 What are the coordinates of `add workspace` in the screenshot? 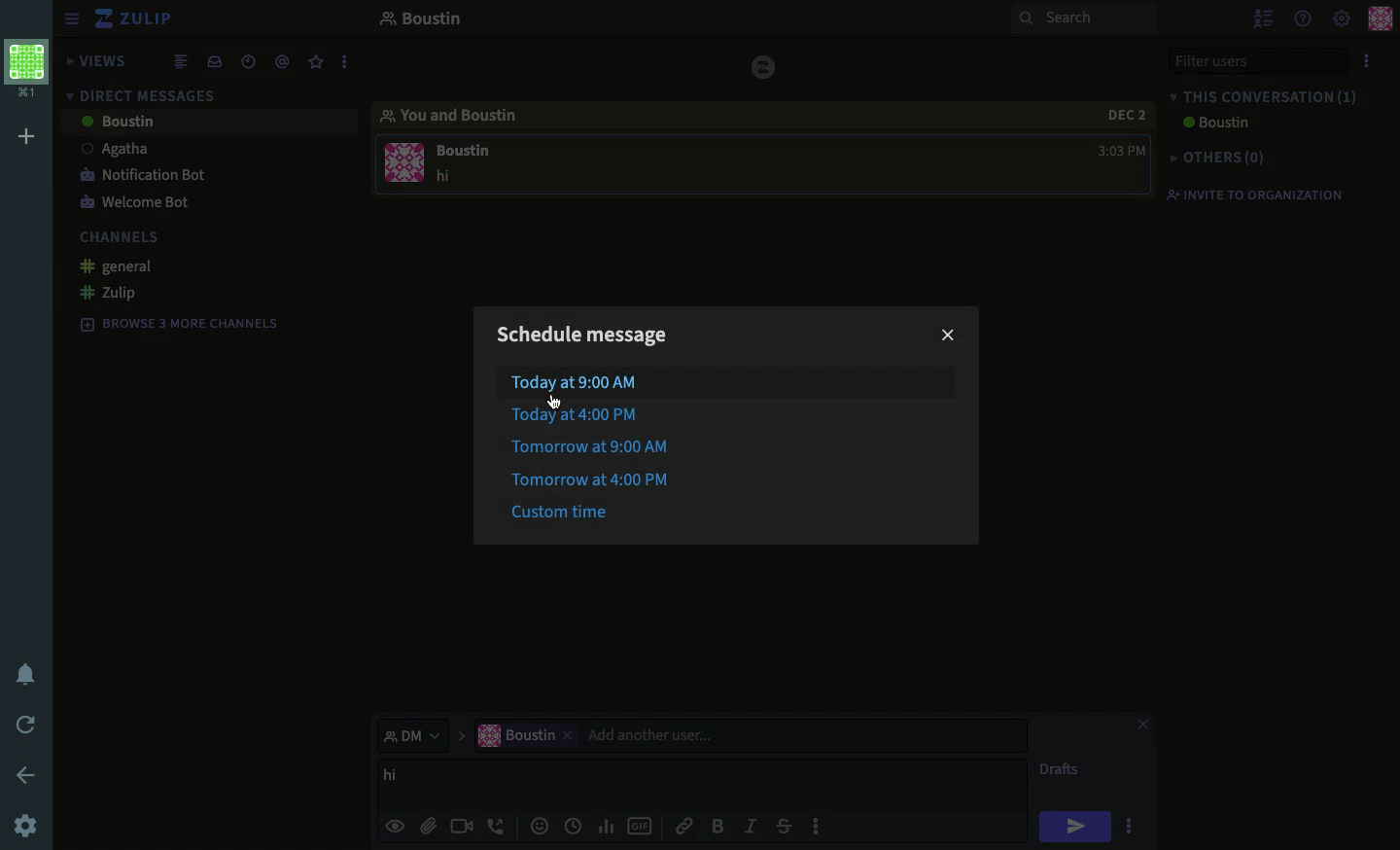 It's located at (27, 133).